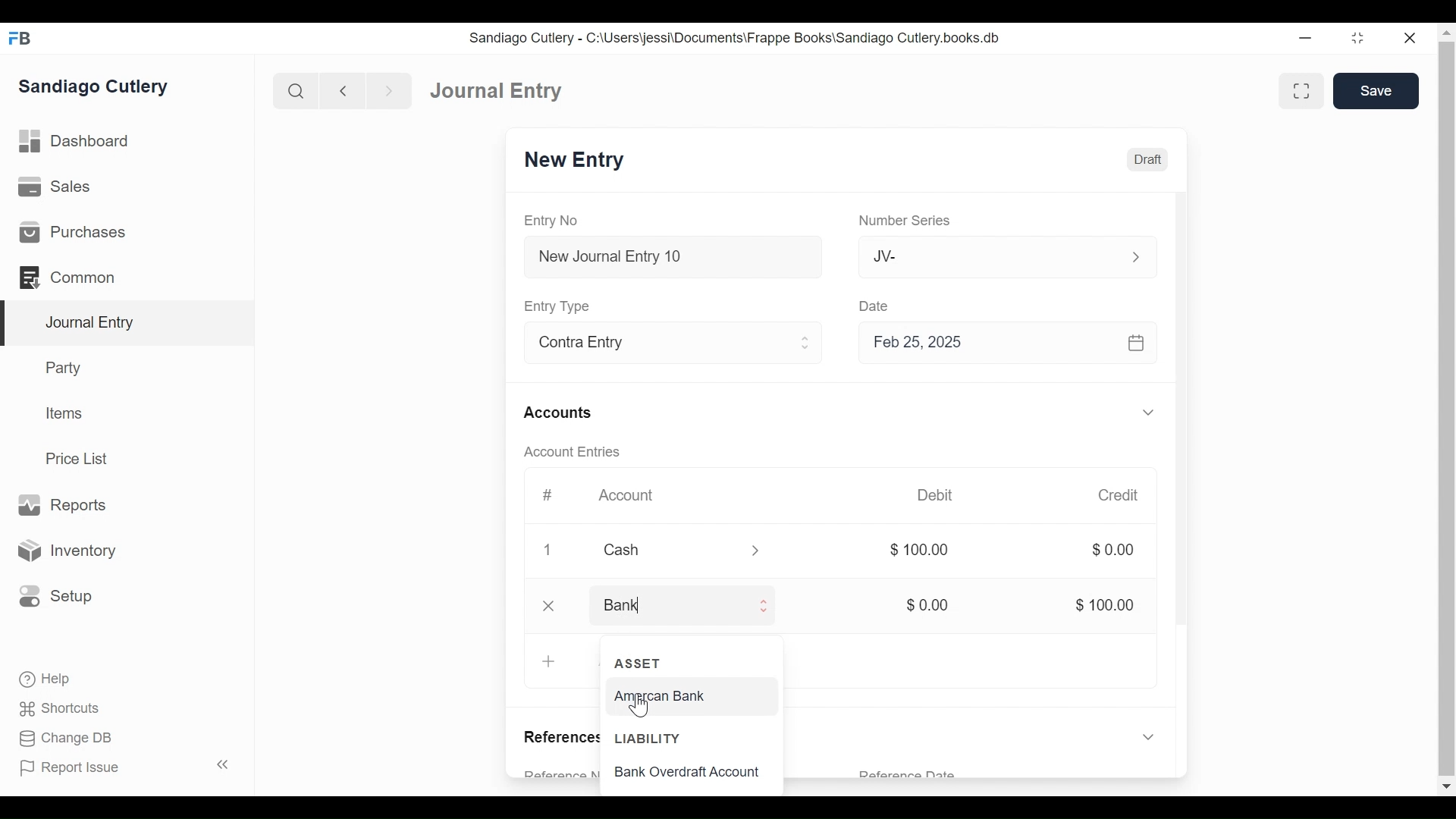 This screenshot has height=819, width=1456. I want to click on Number Series, so click(904, 221).